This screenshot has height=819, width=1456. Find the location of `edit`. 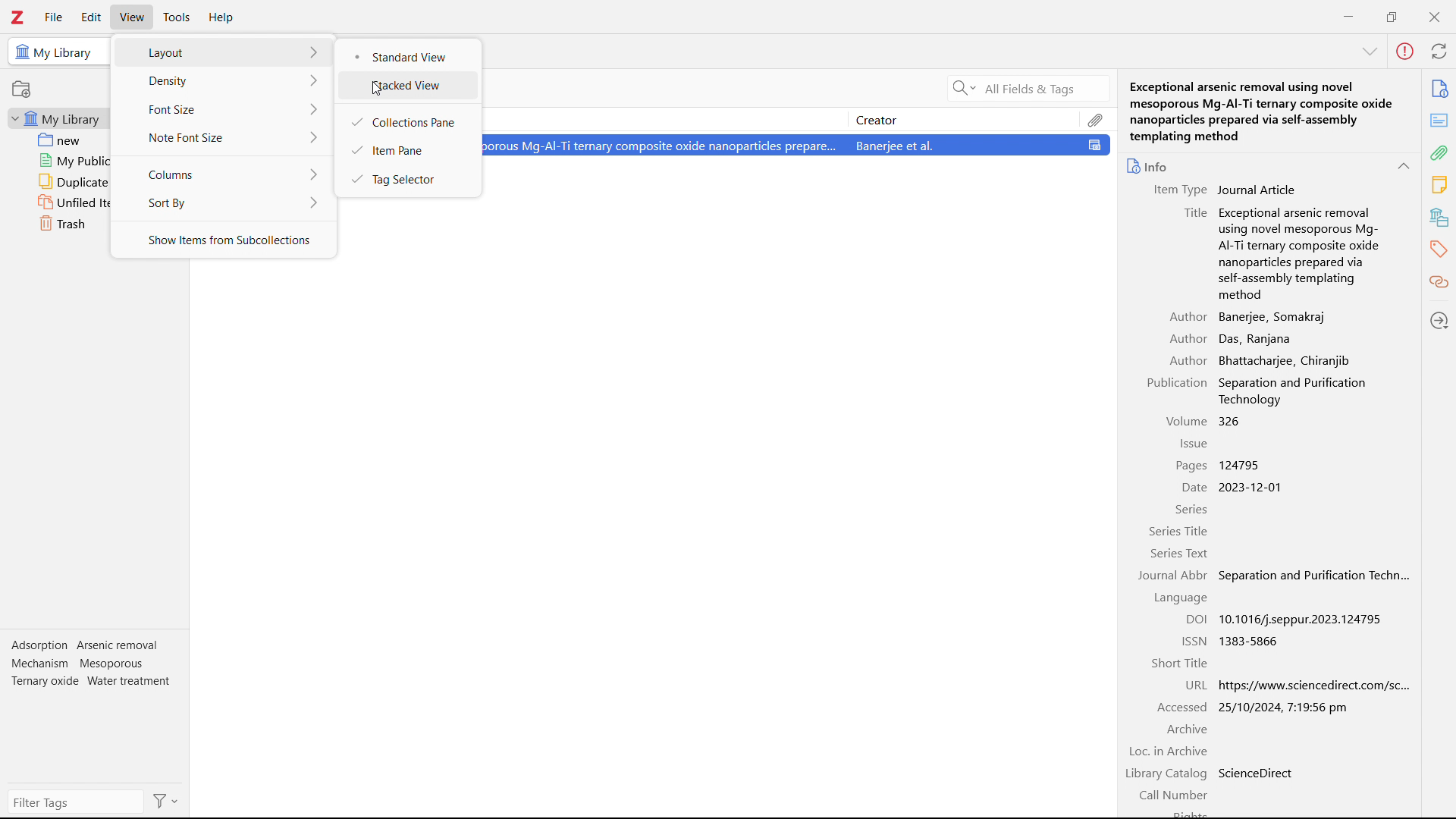

edit is located at coordinates (91, 18).